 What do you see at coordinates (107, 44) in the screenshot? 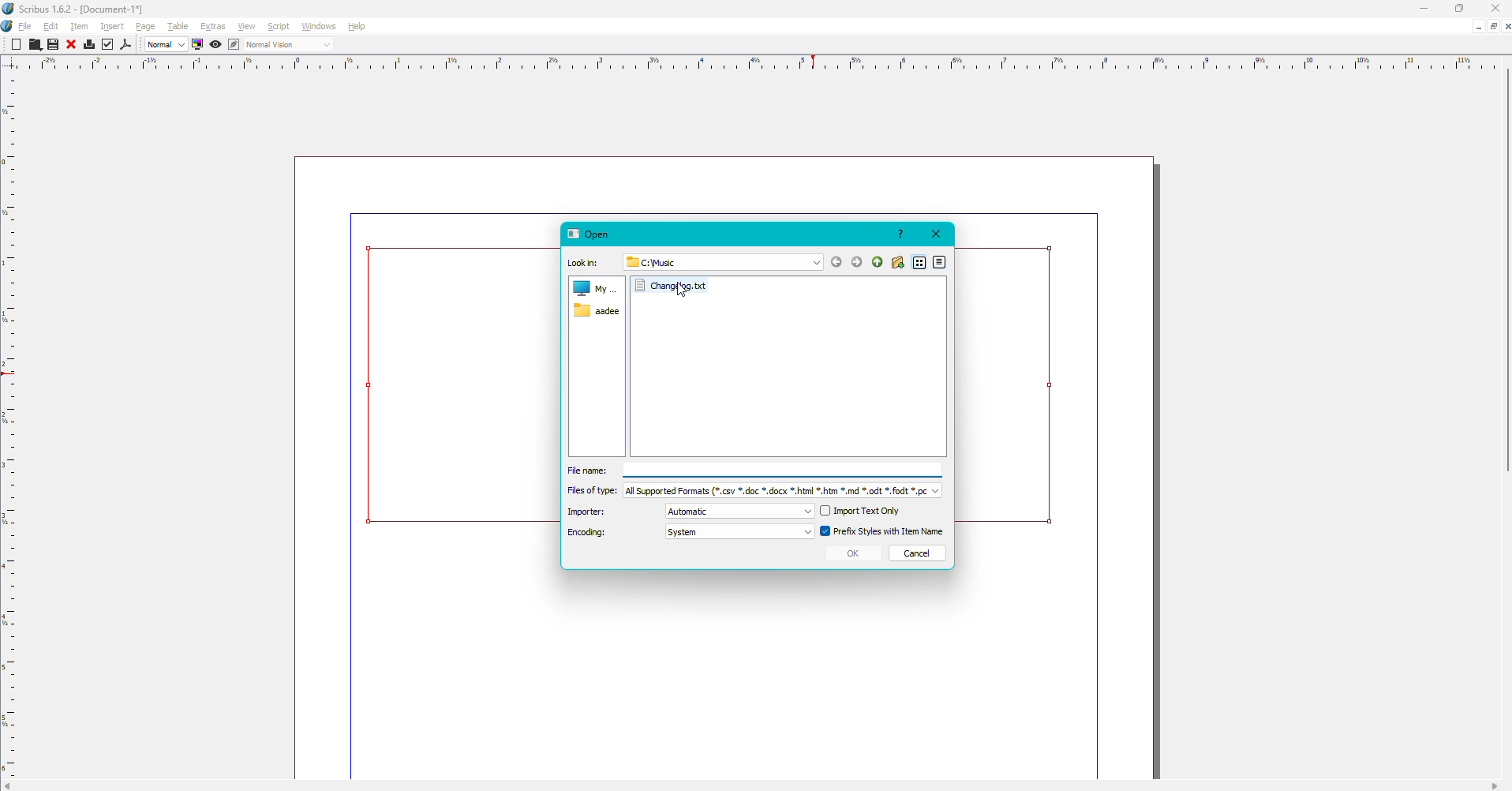
I see `Check` at bounding box center [107, 44].